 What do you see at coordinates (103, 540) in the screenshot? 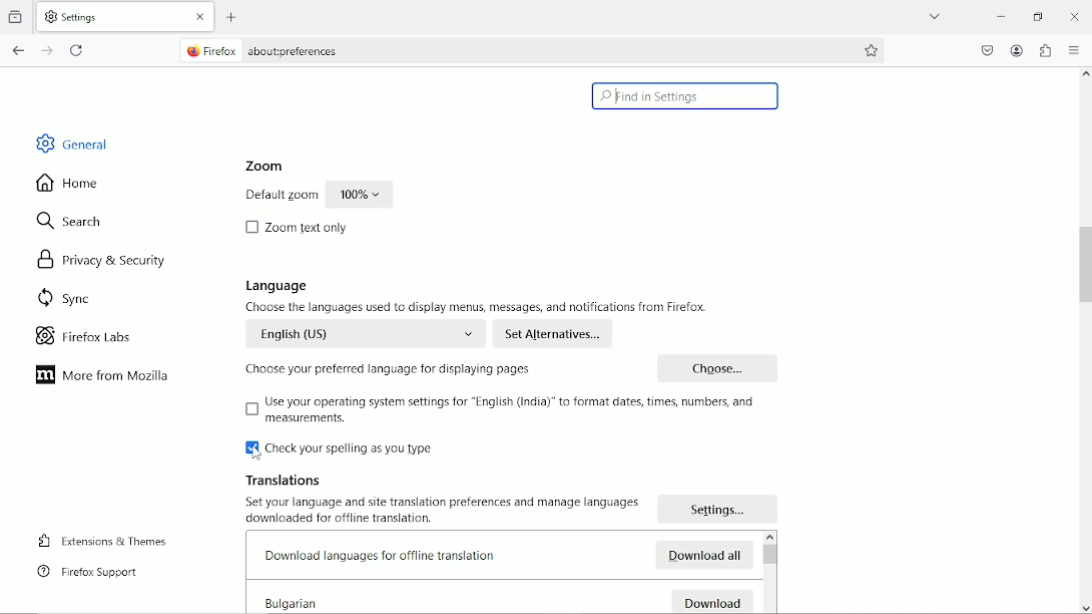
I see `Extensions & Themes` at bounding box center [103, 540].